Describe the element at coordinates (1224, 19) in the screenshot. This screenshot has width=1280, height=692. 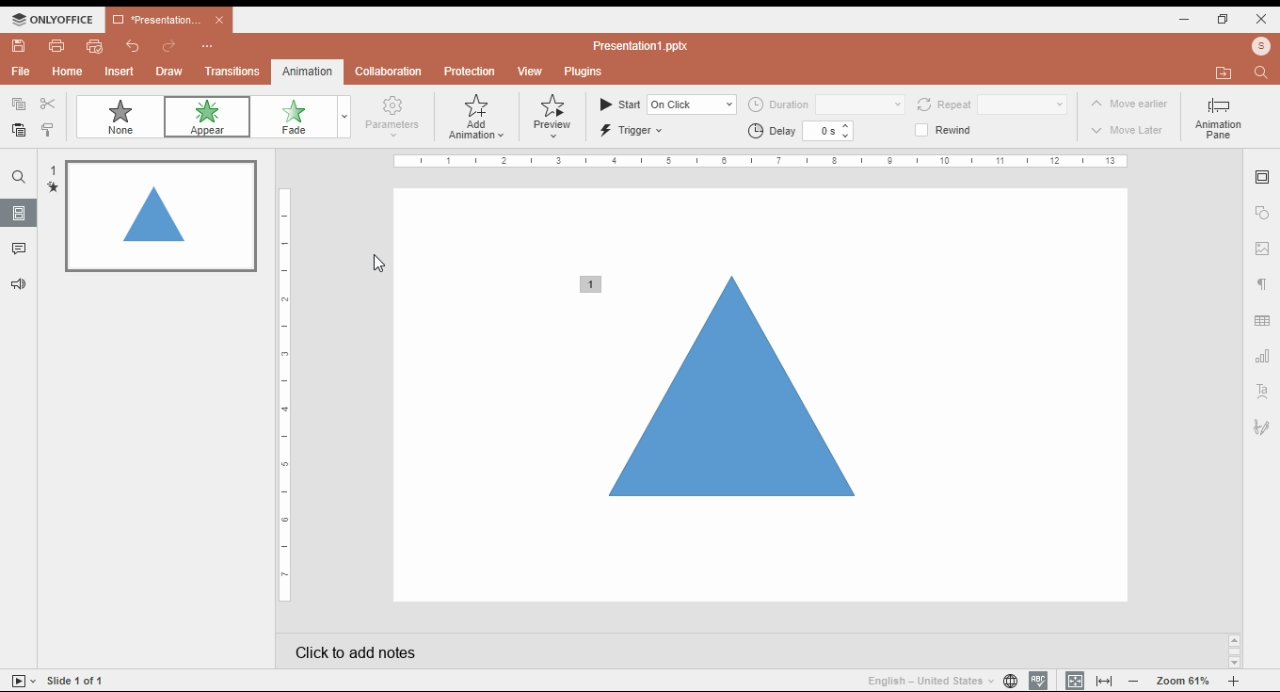
I see `restore` at that location.